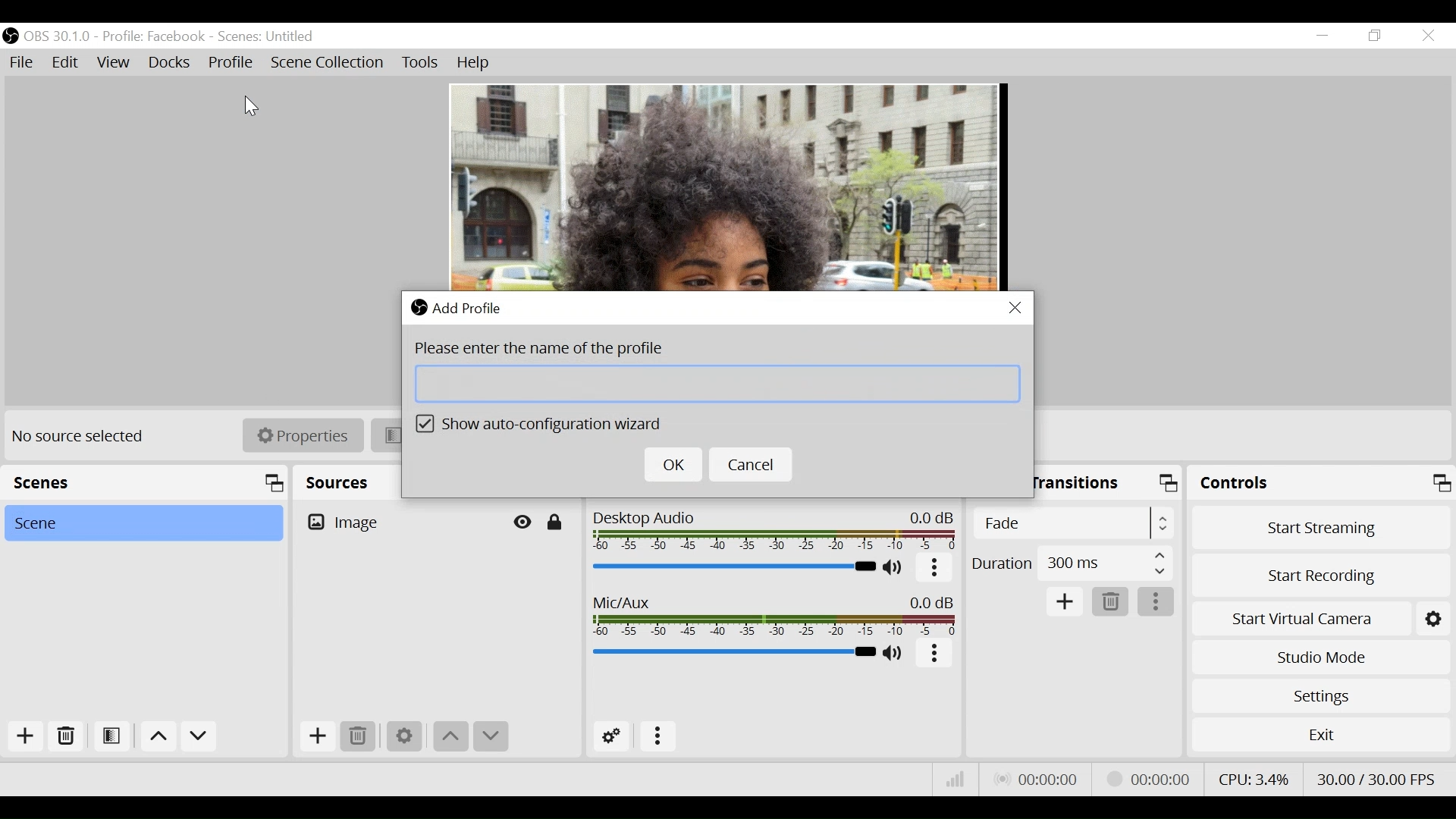 This screenshot has height=819, width=1456. What do you see at coordinates (1320, 696) in the screenshot?
I see `Settings ` at bounding box center [1320, 696].